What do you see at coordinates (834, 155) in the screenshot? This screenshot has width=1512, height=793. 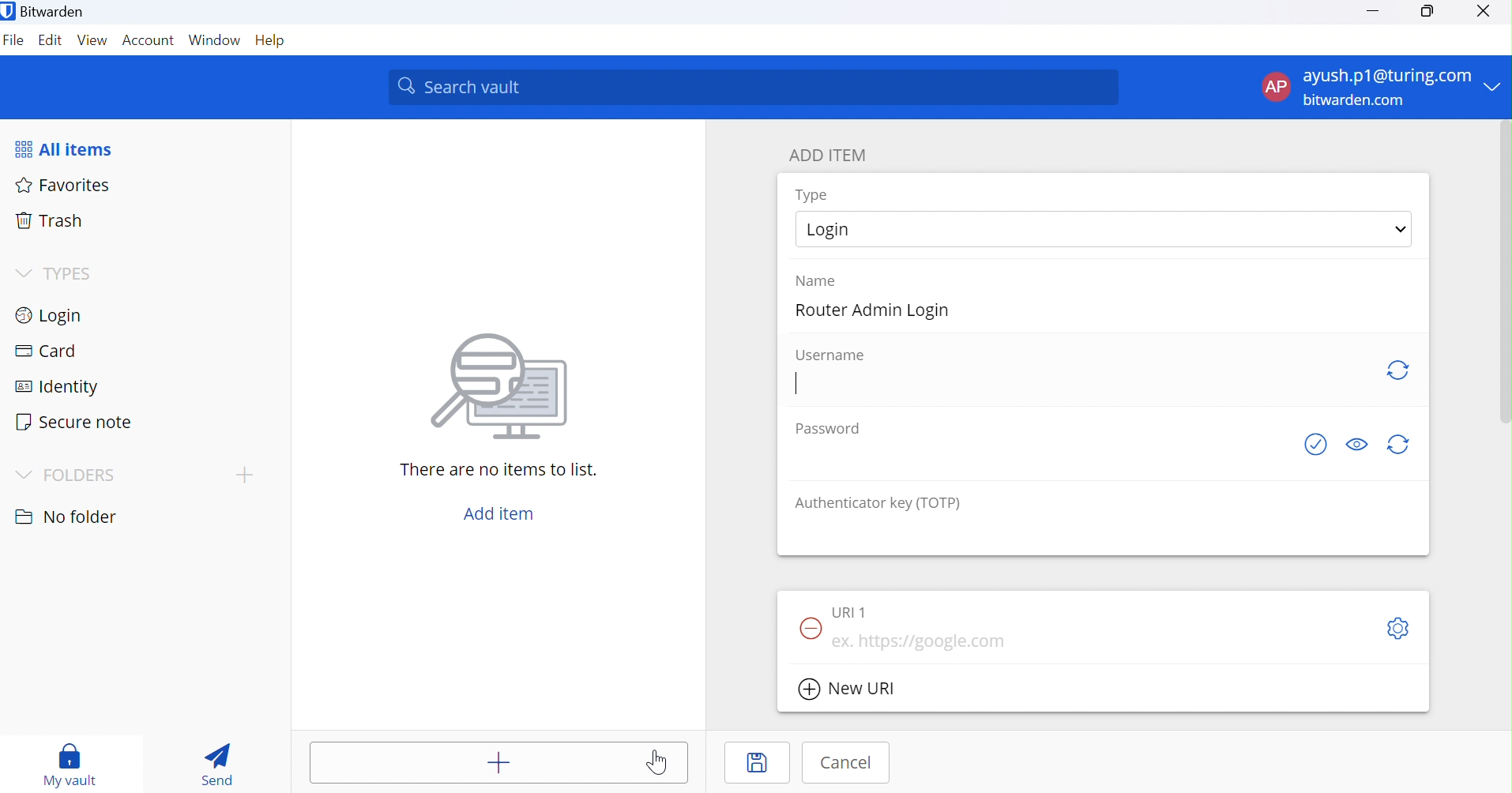 I see `ADD ITEM` at bounding box center [834, 155].